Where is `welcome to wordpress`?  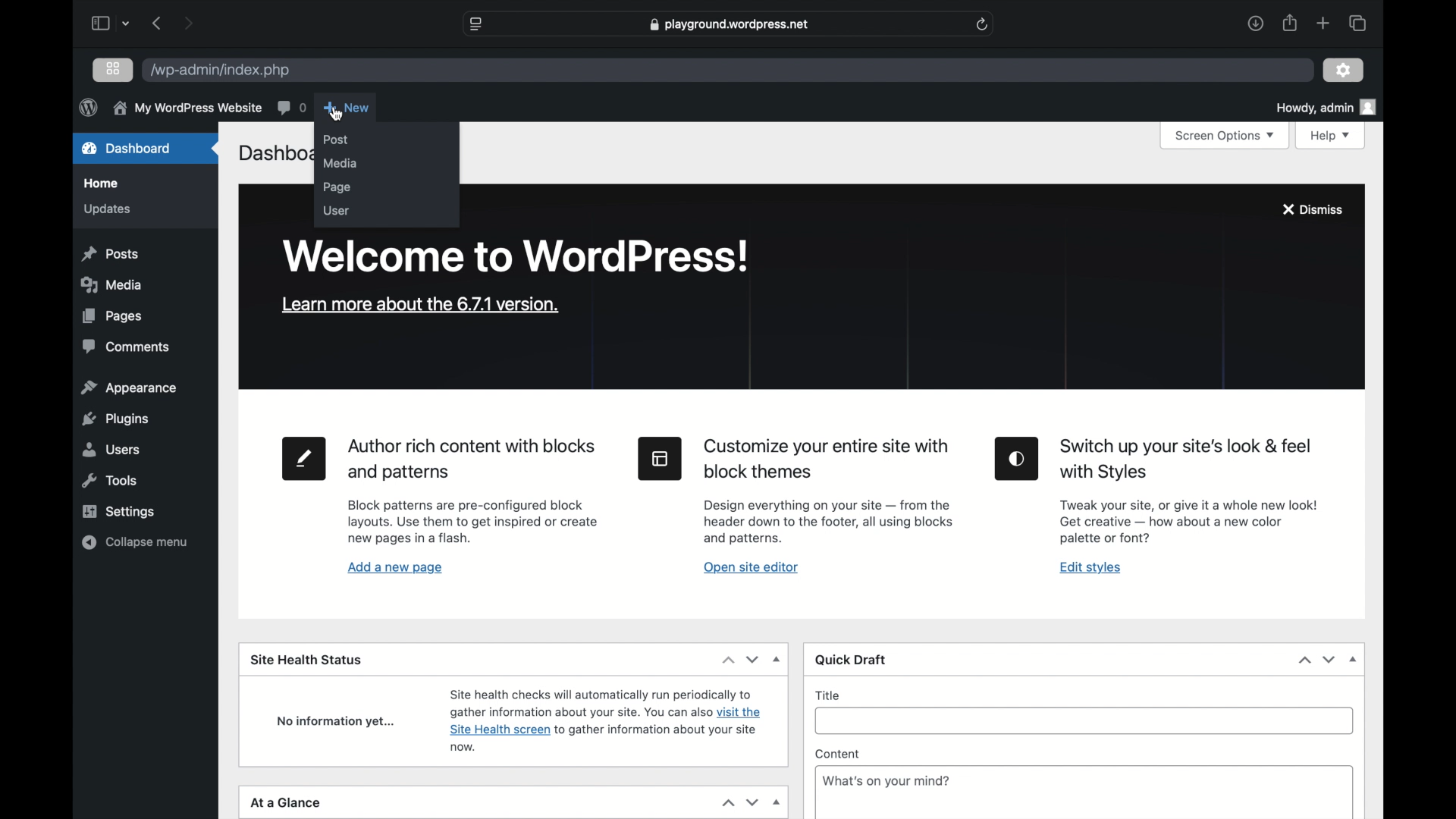
welcome to wordpress is located at coordinates (519, 256).